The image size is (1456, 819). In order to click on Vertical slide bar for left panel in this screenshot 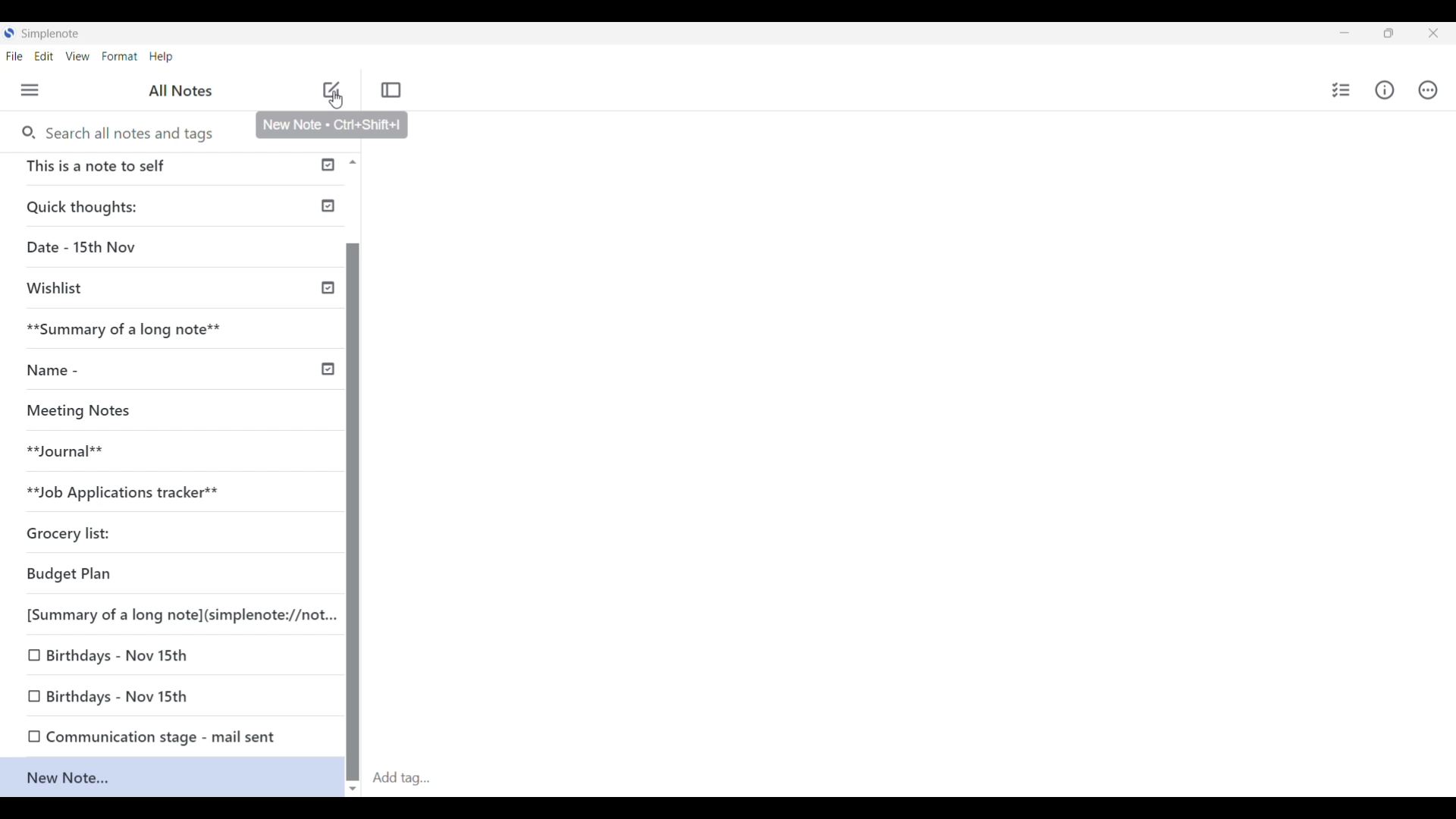, I will do `click(353, 513)`.